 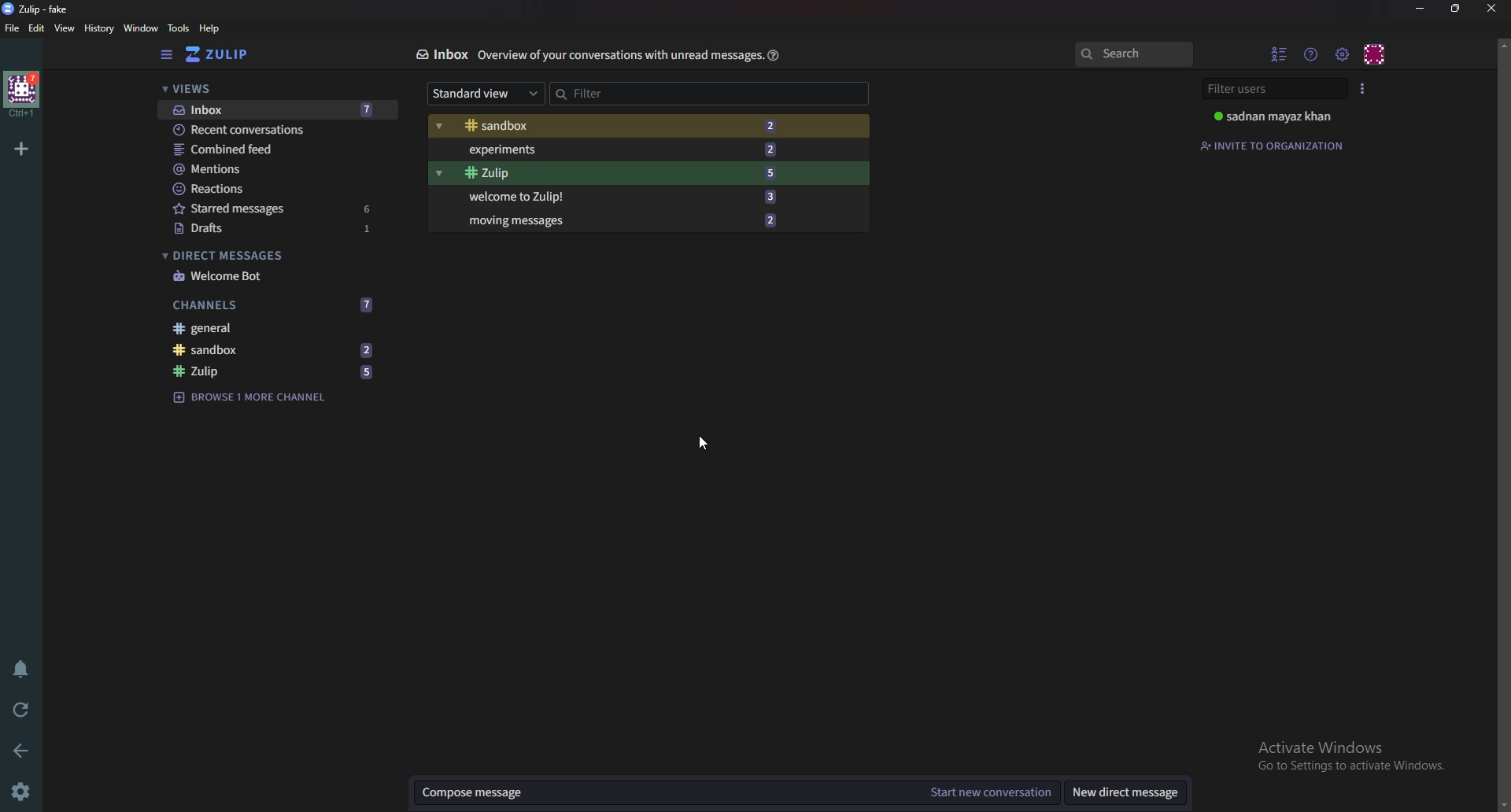 What do you see at coordinates (180, 28) in the screenshot?
I see `Tools` at bounding box center [180, 28].